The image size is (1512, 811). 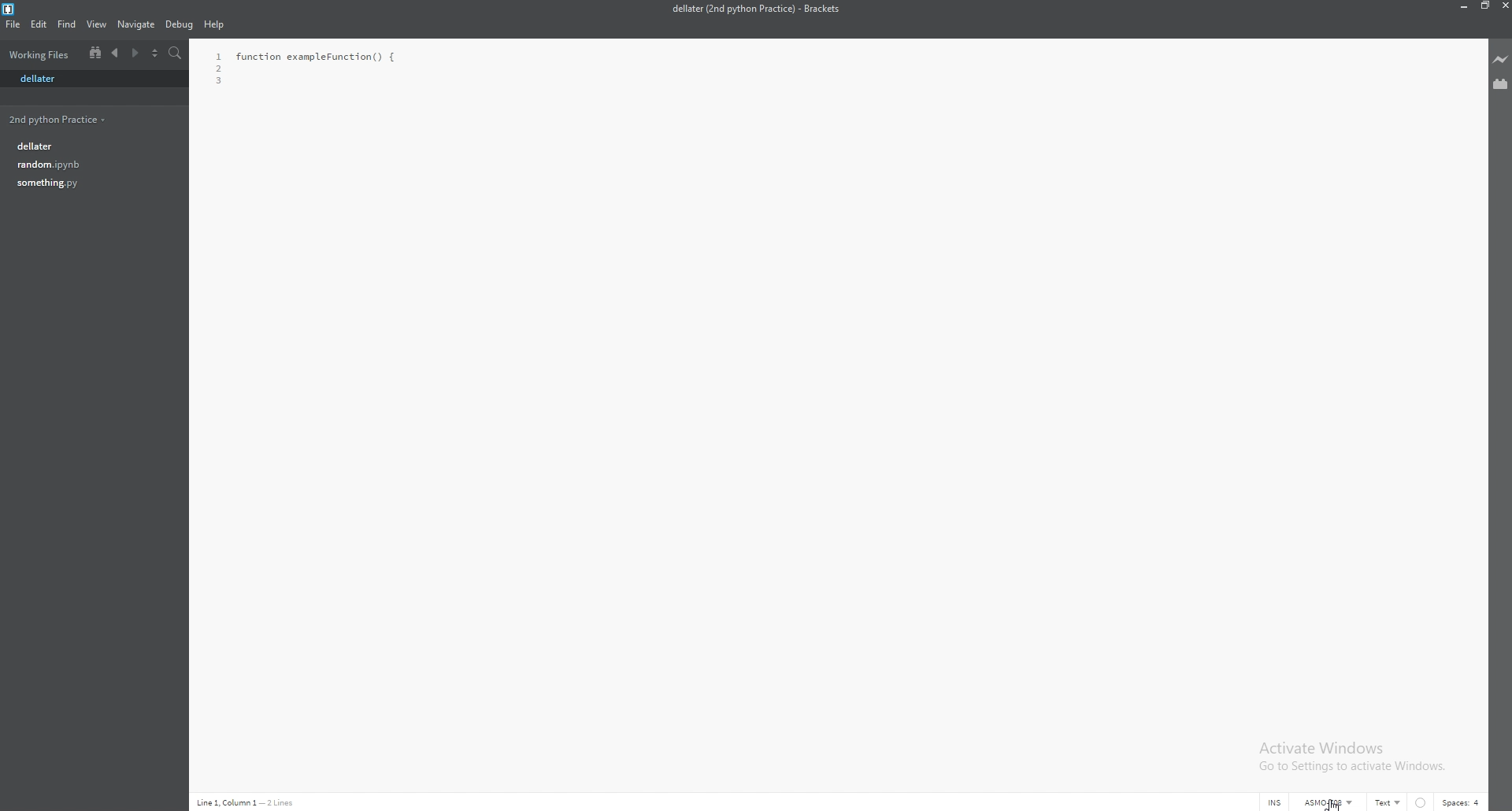 I want to click on resize, so click(x=1485, y=6).